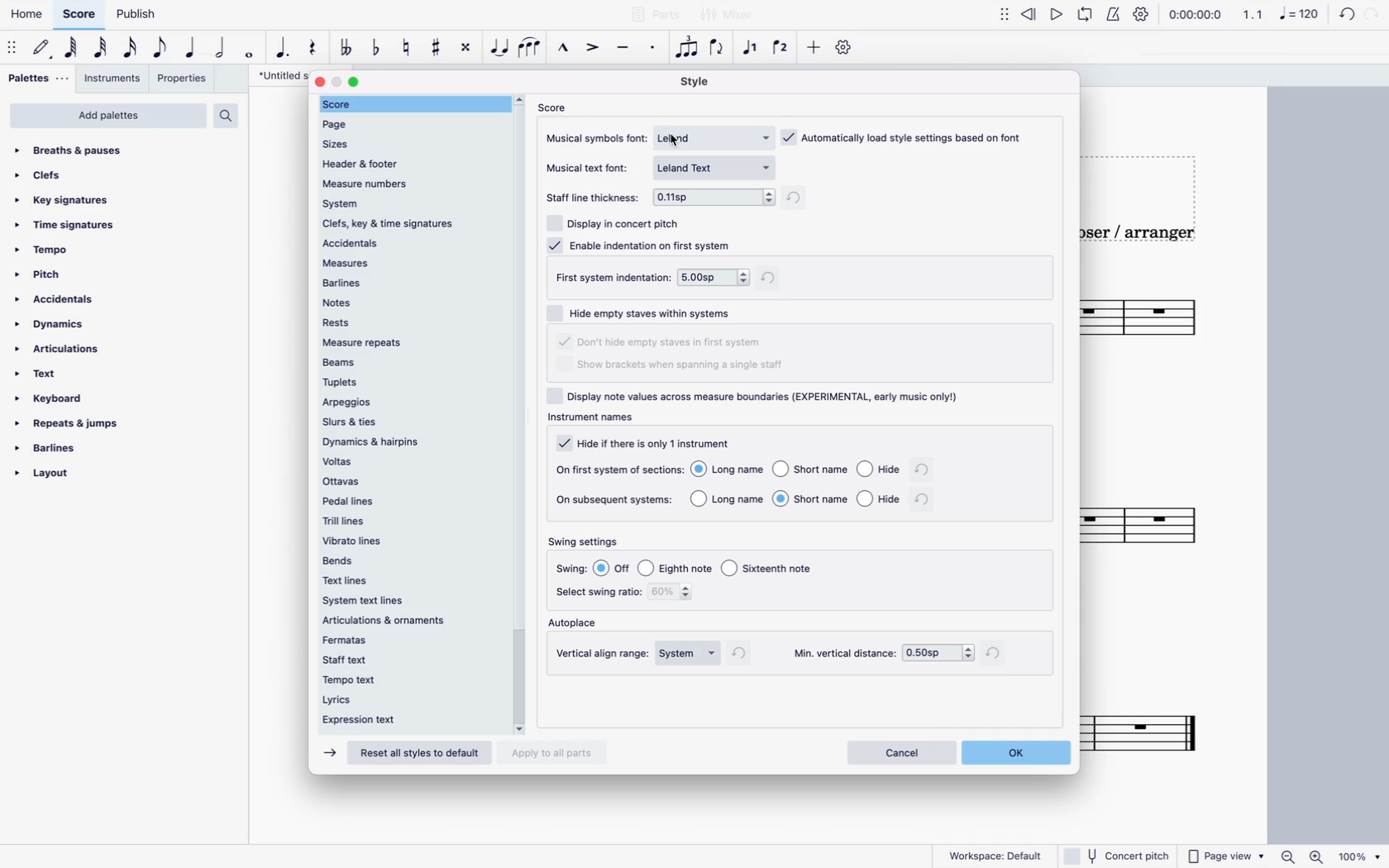  Describe the element at coordinates (161, 50) in the screenshot. I see `eighth note` at that location.